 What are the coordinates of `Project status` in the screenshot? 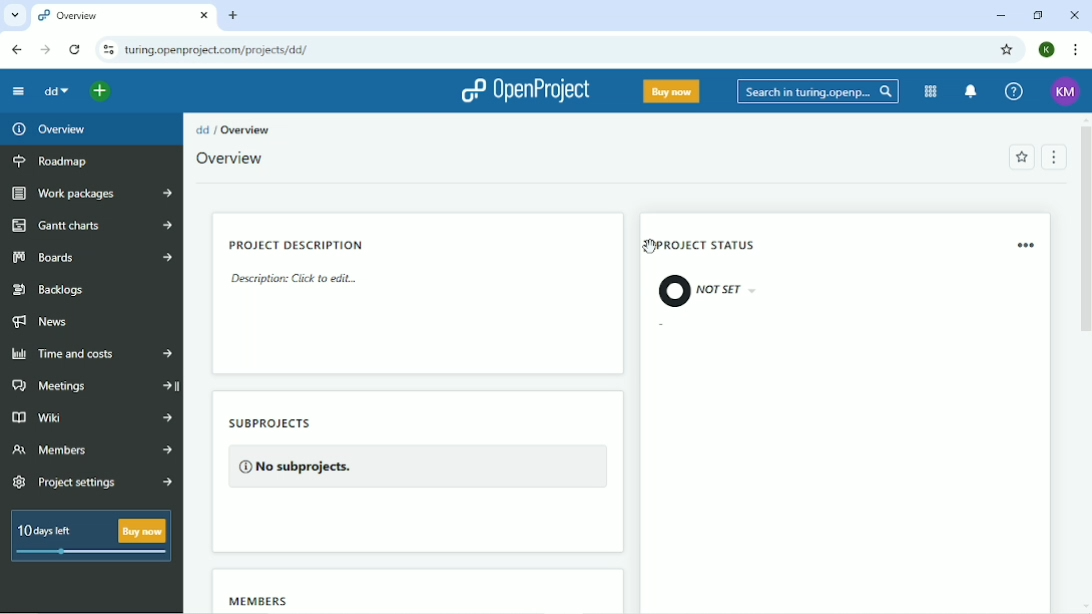 It's located at (707, 271).